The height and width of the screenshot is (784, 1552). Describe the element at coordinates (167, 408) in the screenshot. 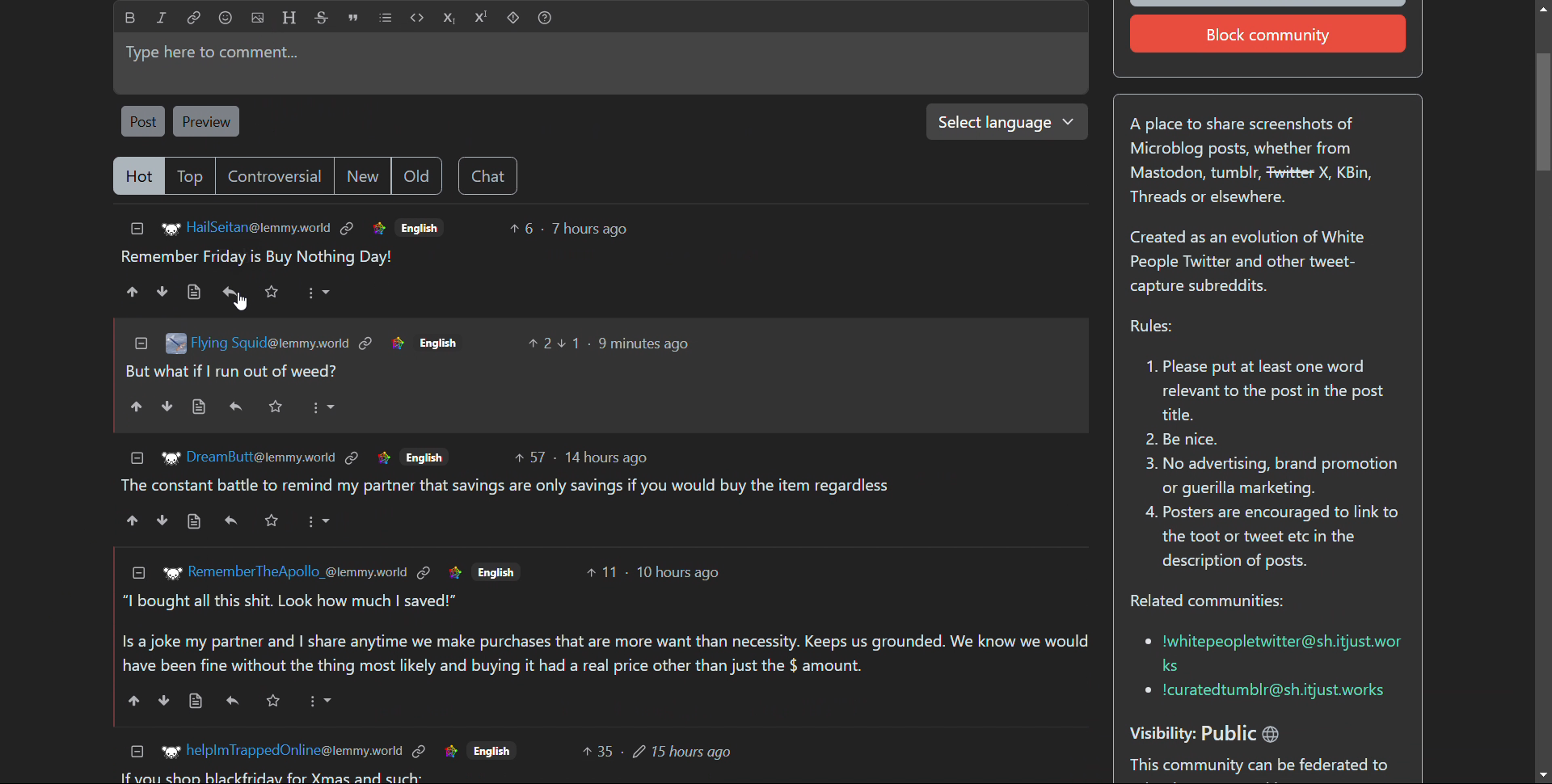

I see `downvote` at that location.